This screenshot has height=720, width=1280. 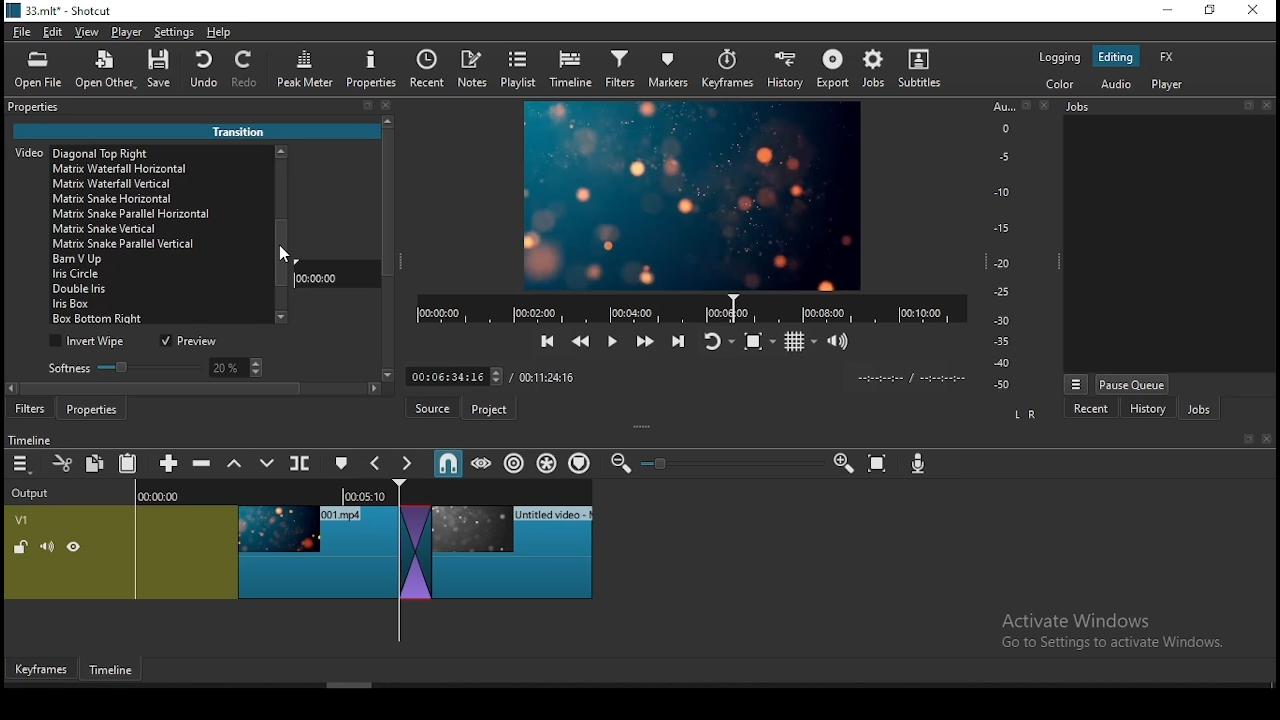 What do you see at coordinates (686, 308) in the screenshot?
I see `timer` at bounding box center [686, 308].